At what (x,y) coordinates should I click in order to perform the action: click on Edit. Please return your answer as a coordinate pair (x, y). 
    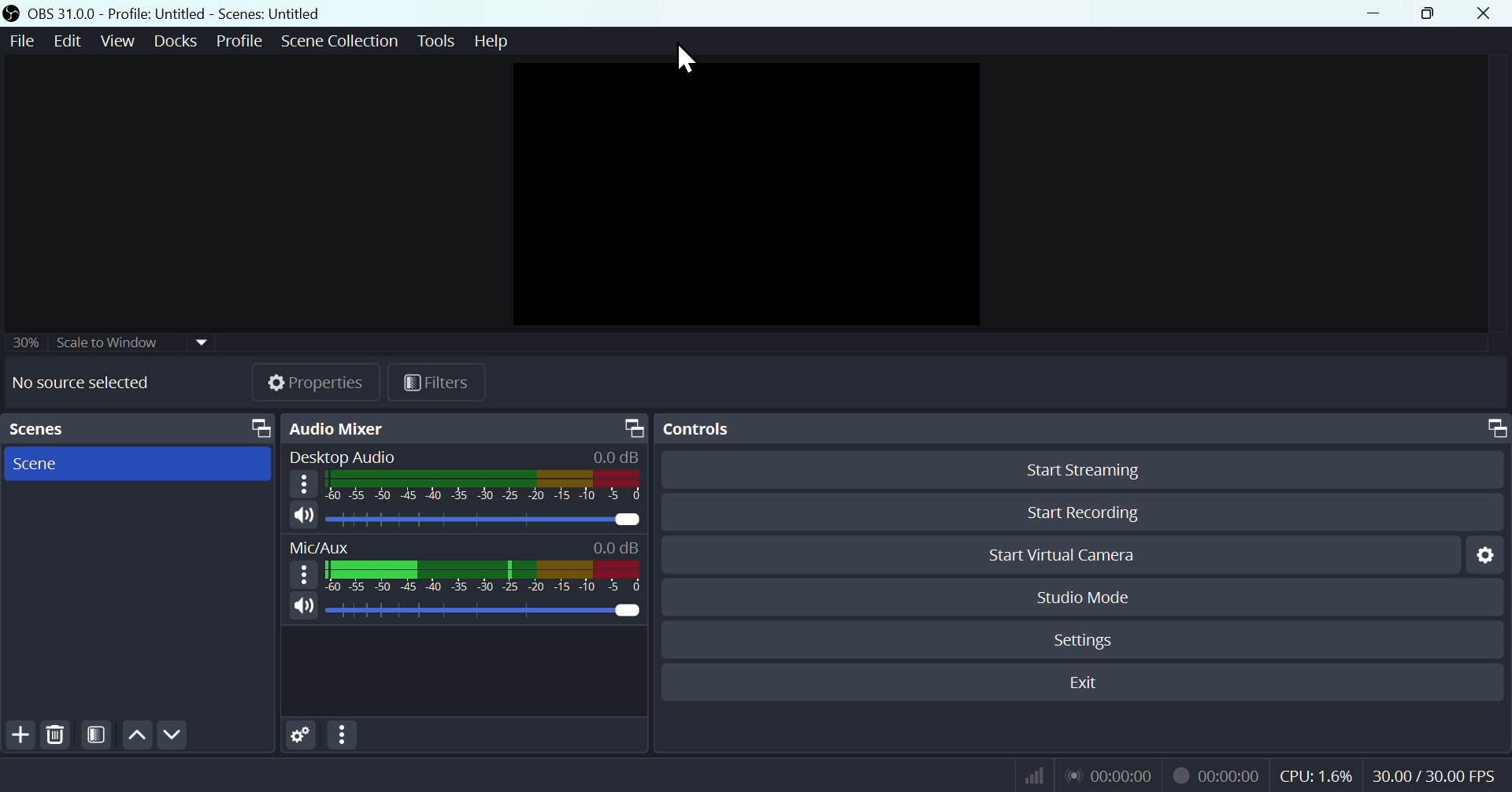
    Looking at the image, I should click on (69, 40).